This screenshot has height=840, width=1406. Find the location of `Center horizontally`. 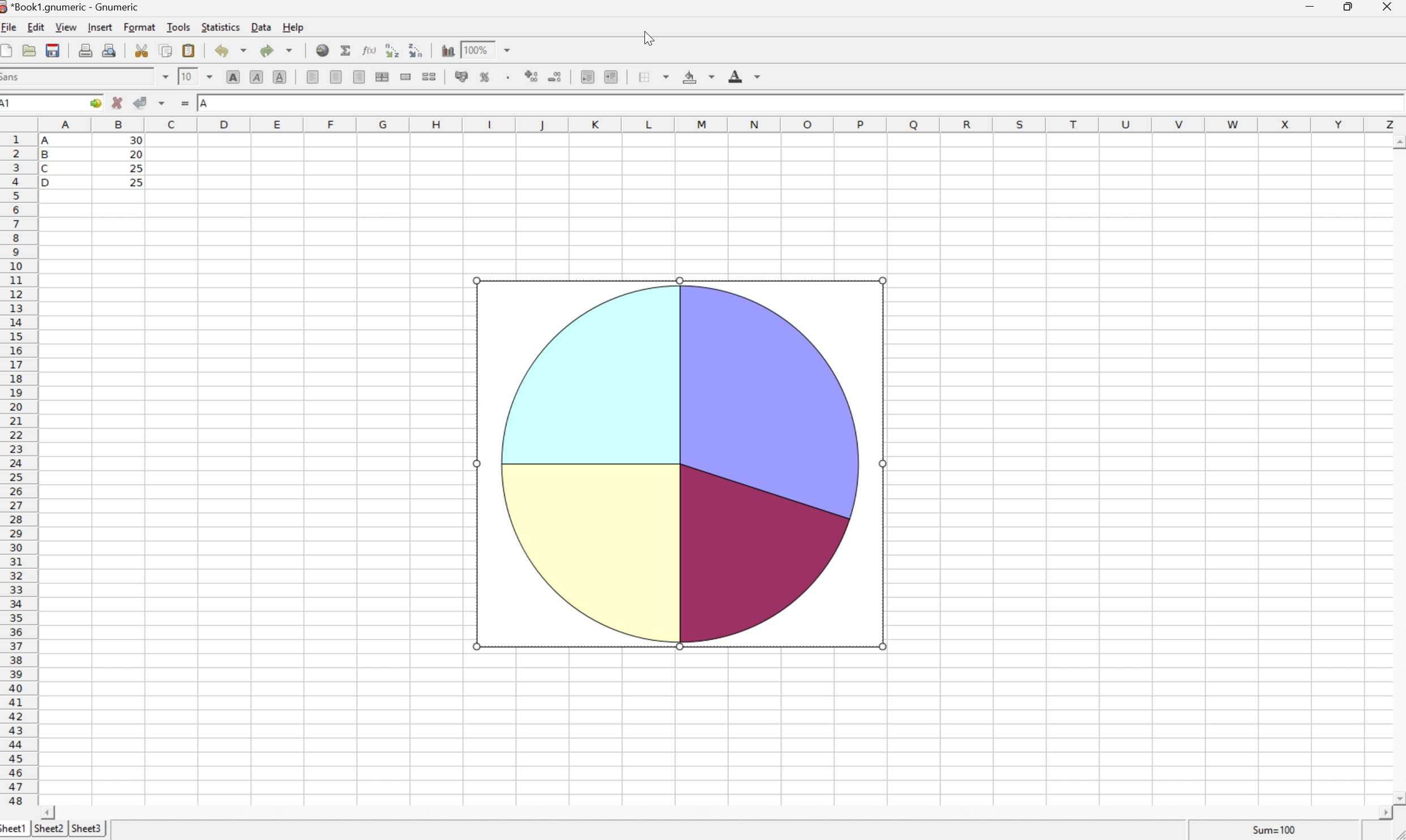

Center horizontally is located at coordinates (337, 78).